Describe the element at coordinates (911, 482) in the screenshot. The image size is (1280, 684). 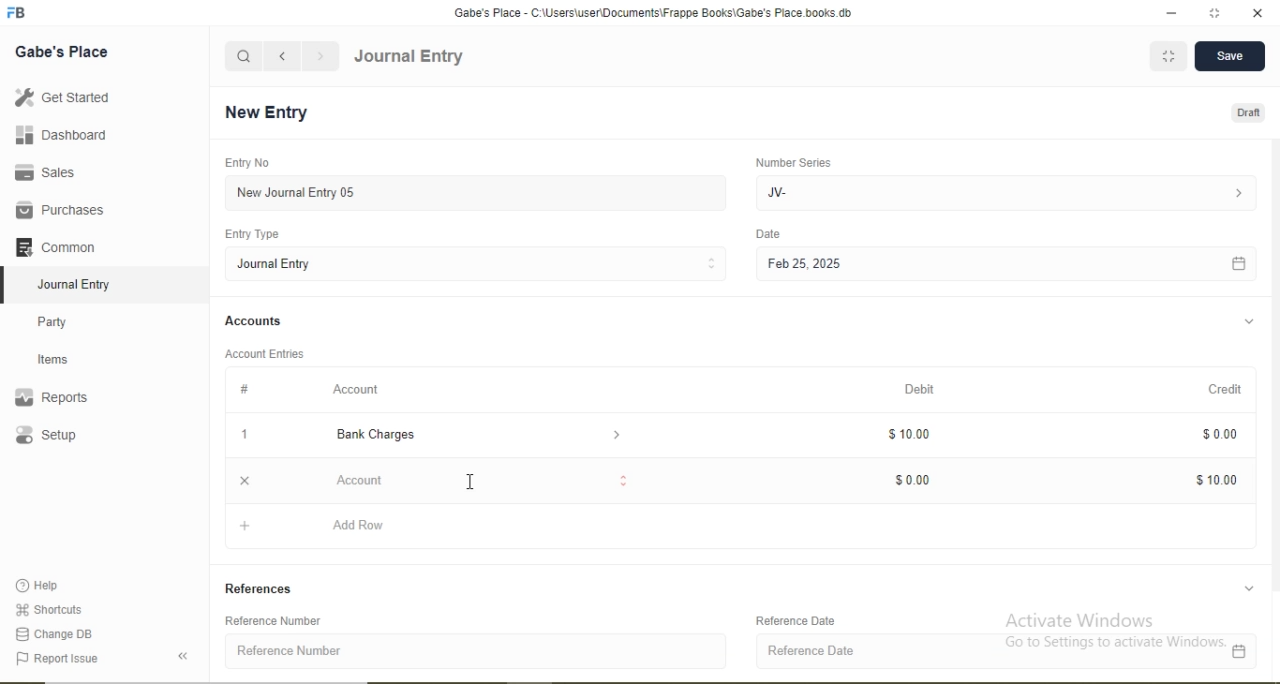
I see `$0.00` at that location.